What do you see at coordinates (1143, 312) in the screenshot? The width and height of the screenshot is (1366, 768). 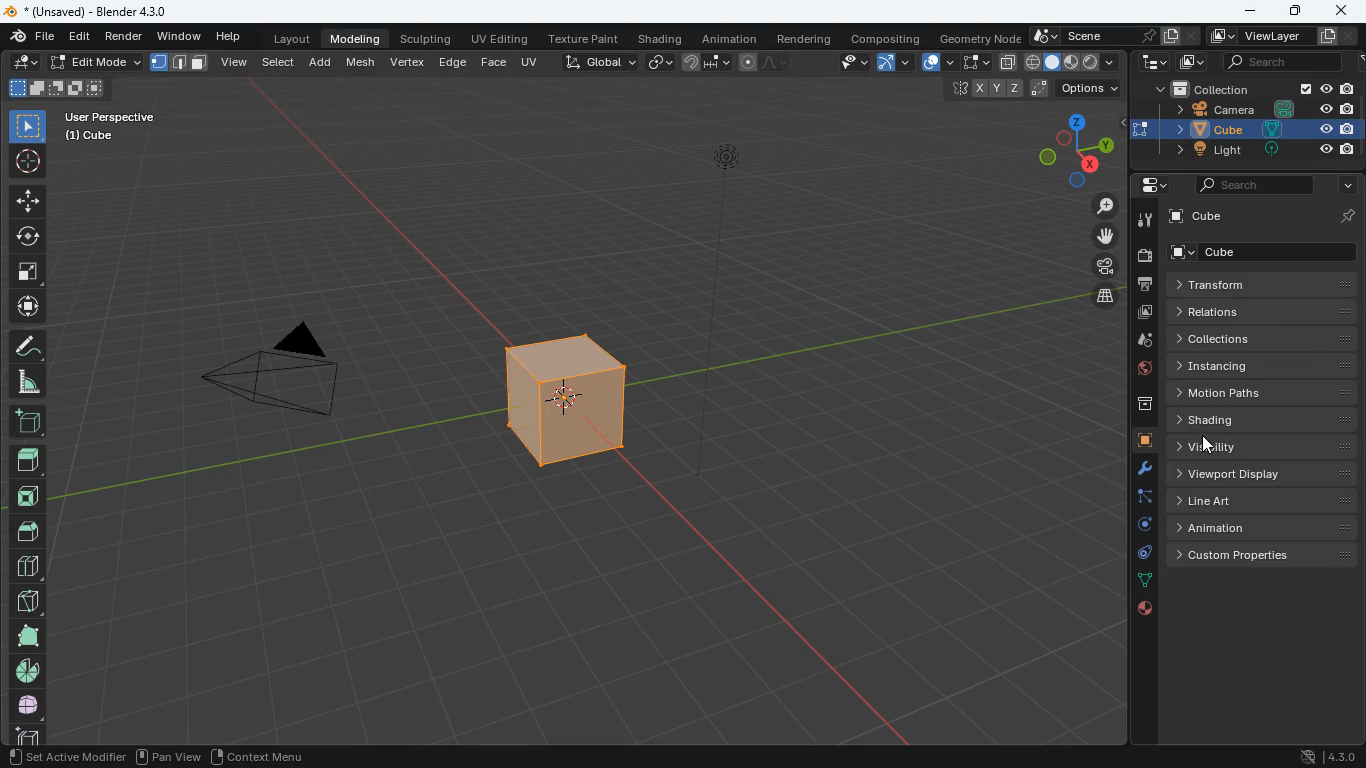 I see `image` at bounding box center [1143, 312].